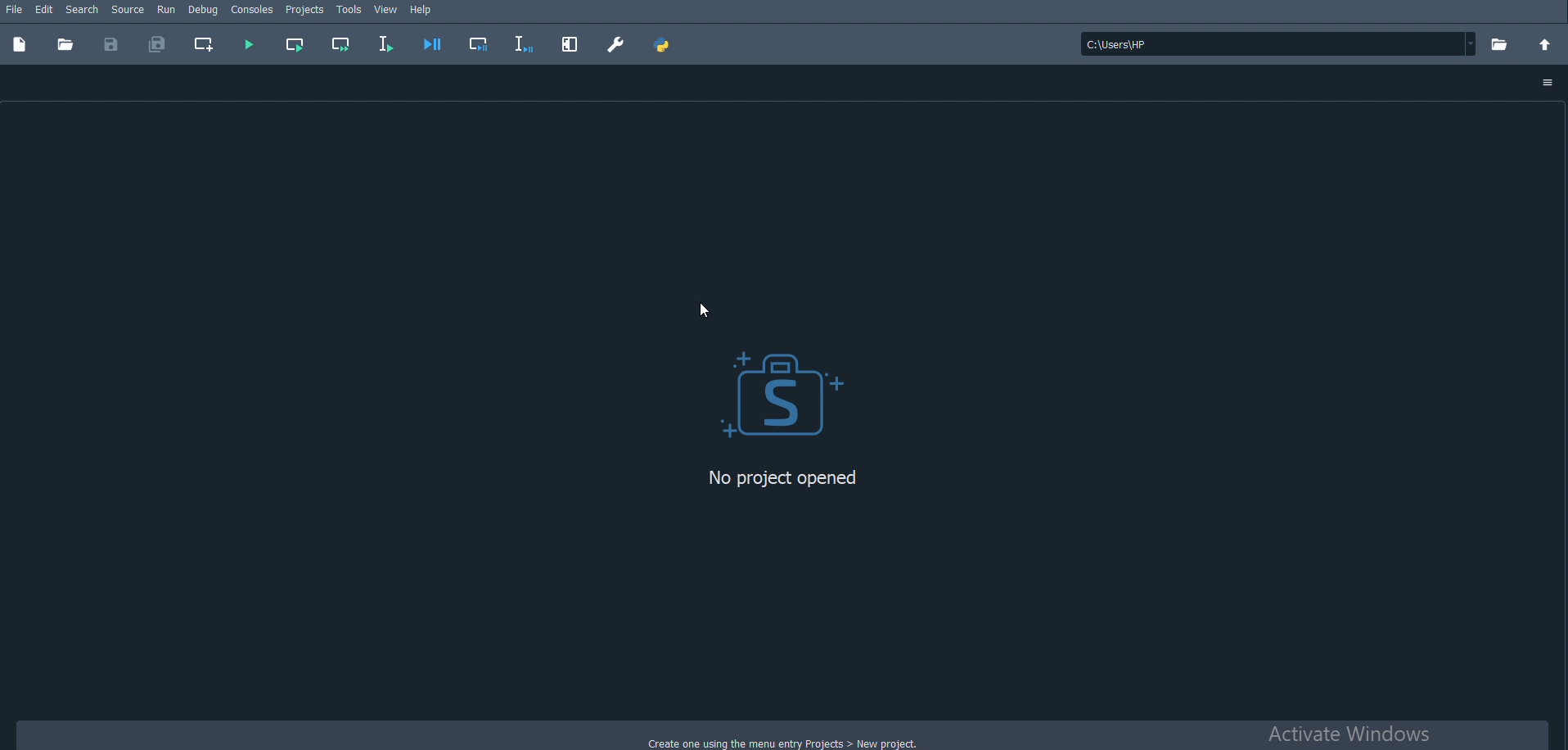  I want to click on Run file, so click(247, 43).